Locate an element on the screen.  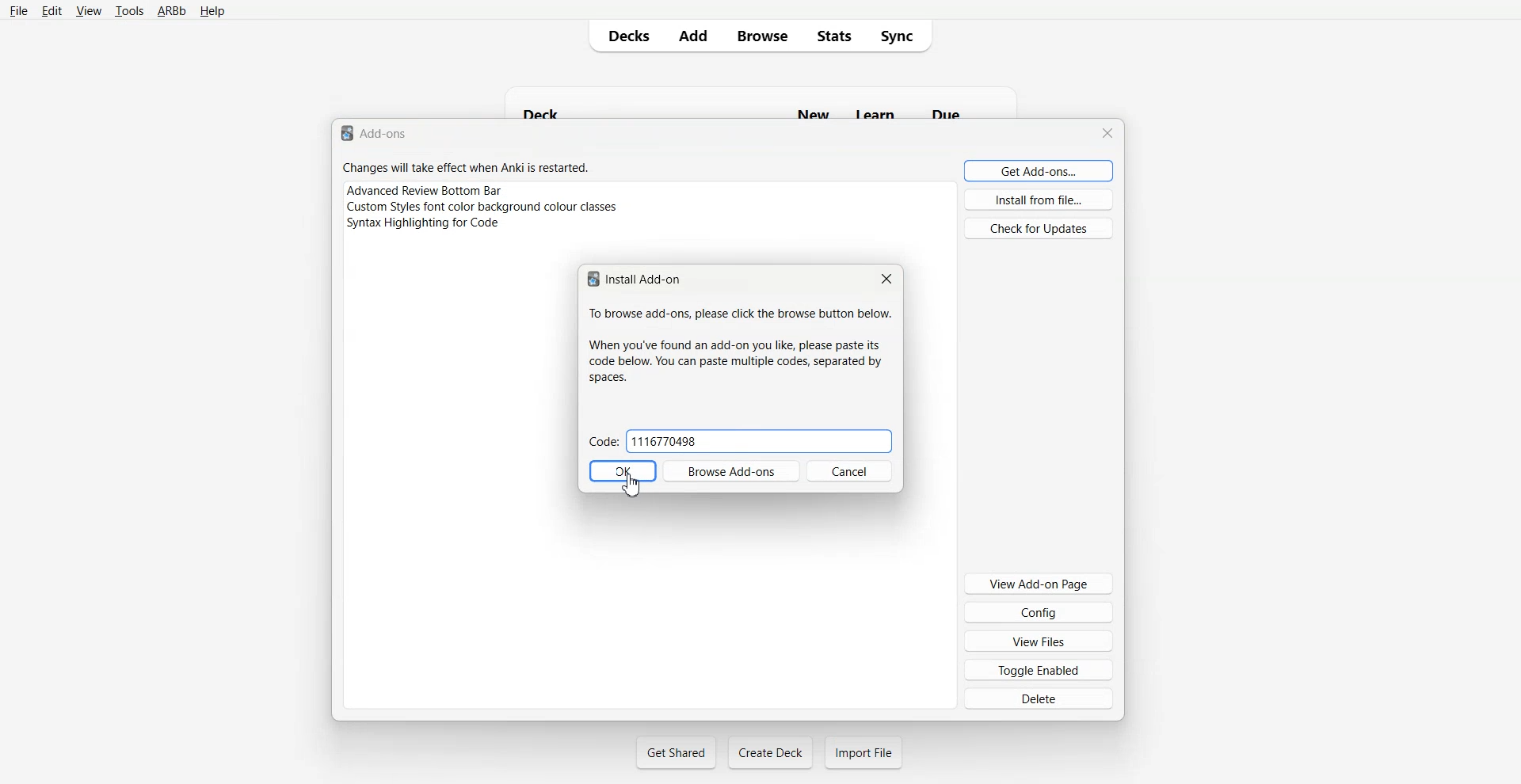
Changes will take effect when Anki is restarted is located at coordinates (465, 166).